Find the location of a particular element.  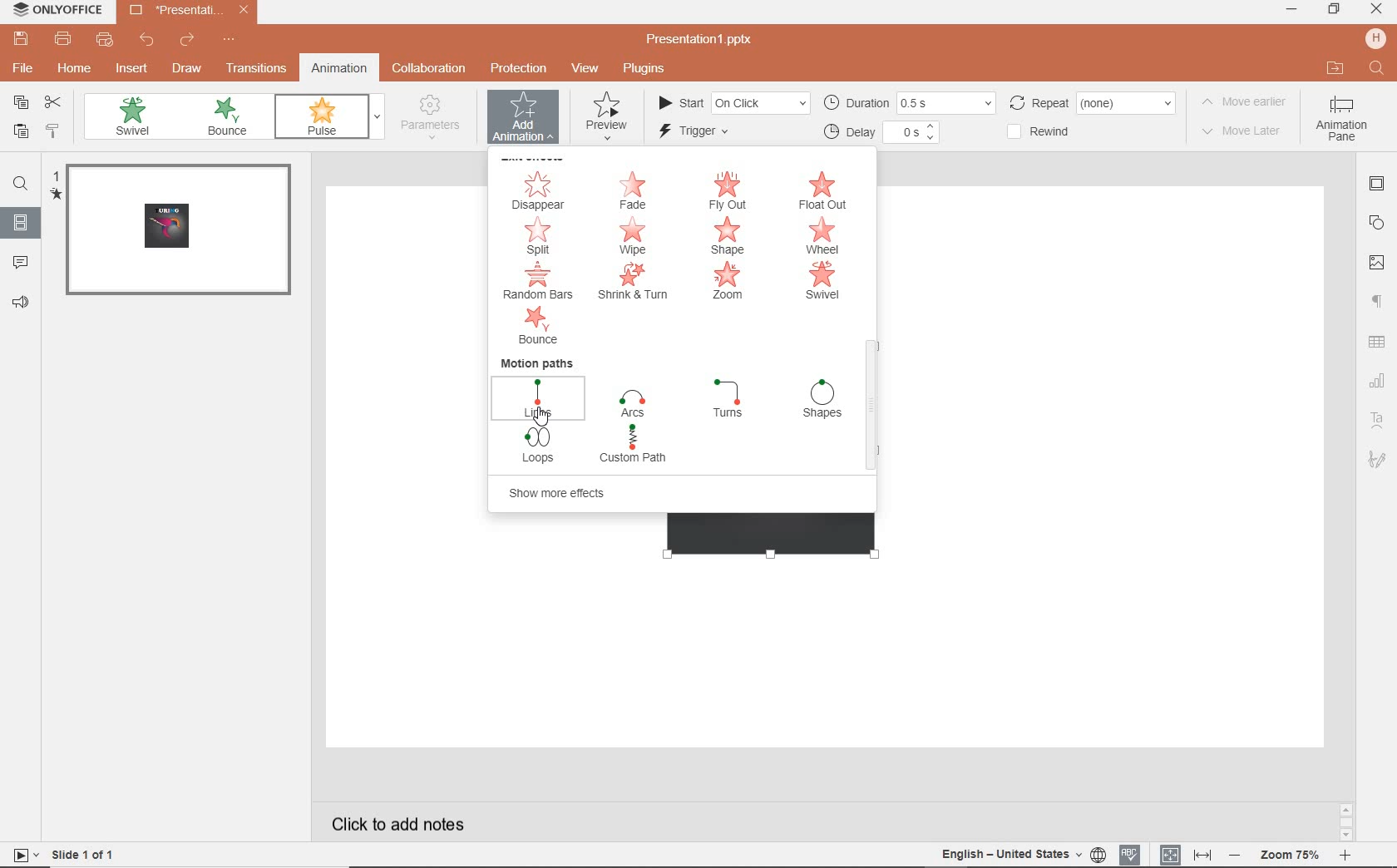

checkbox is located at coordinates (1011, 133).